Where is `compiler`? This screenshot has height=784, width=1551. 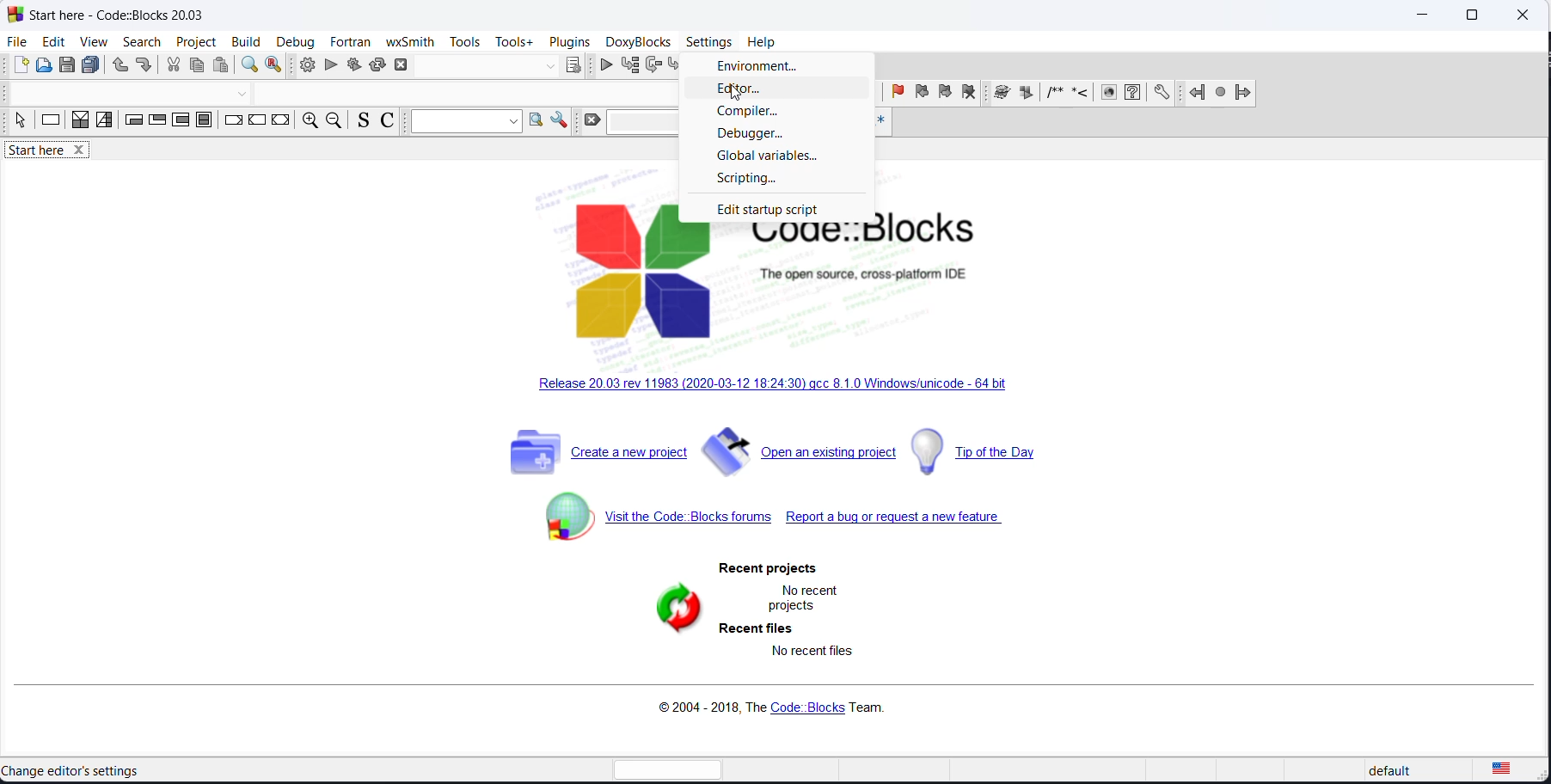 compiler is located at coordinates (774, 112).